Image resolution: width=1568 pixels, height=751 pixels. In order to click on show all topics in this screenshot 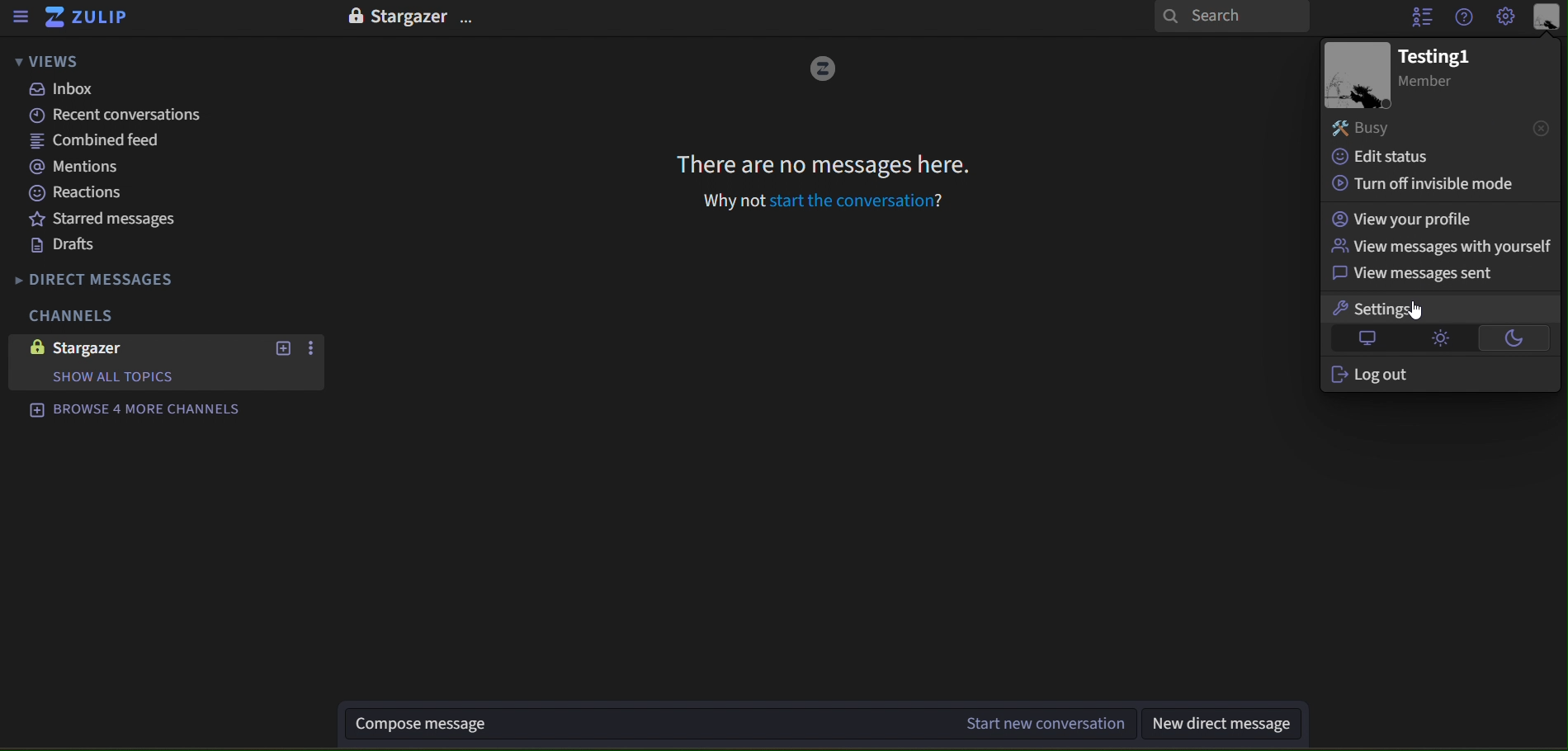, I will do `click(143, 378)`.